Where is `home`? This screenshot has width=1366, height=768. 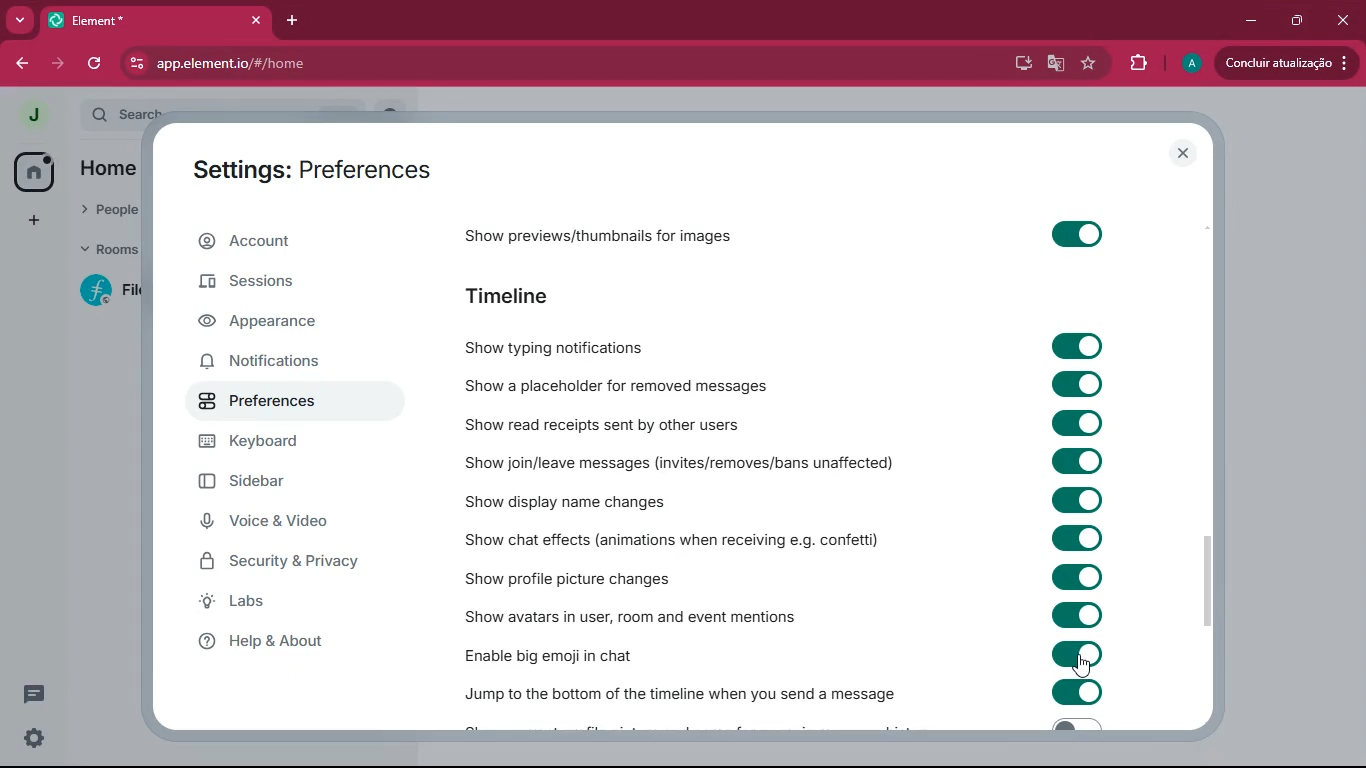 home is located at coordinates (111, 167).